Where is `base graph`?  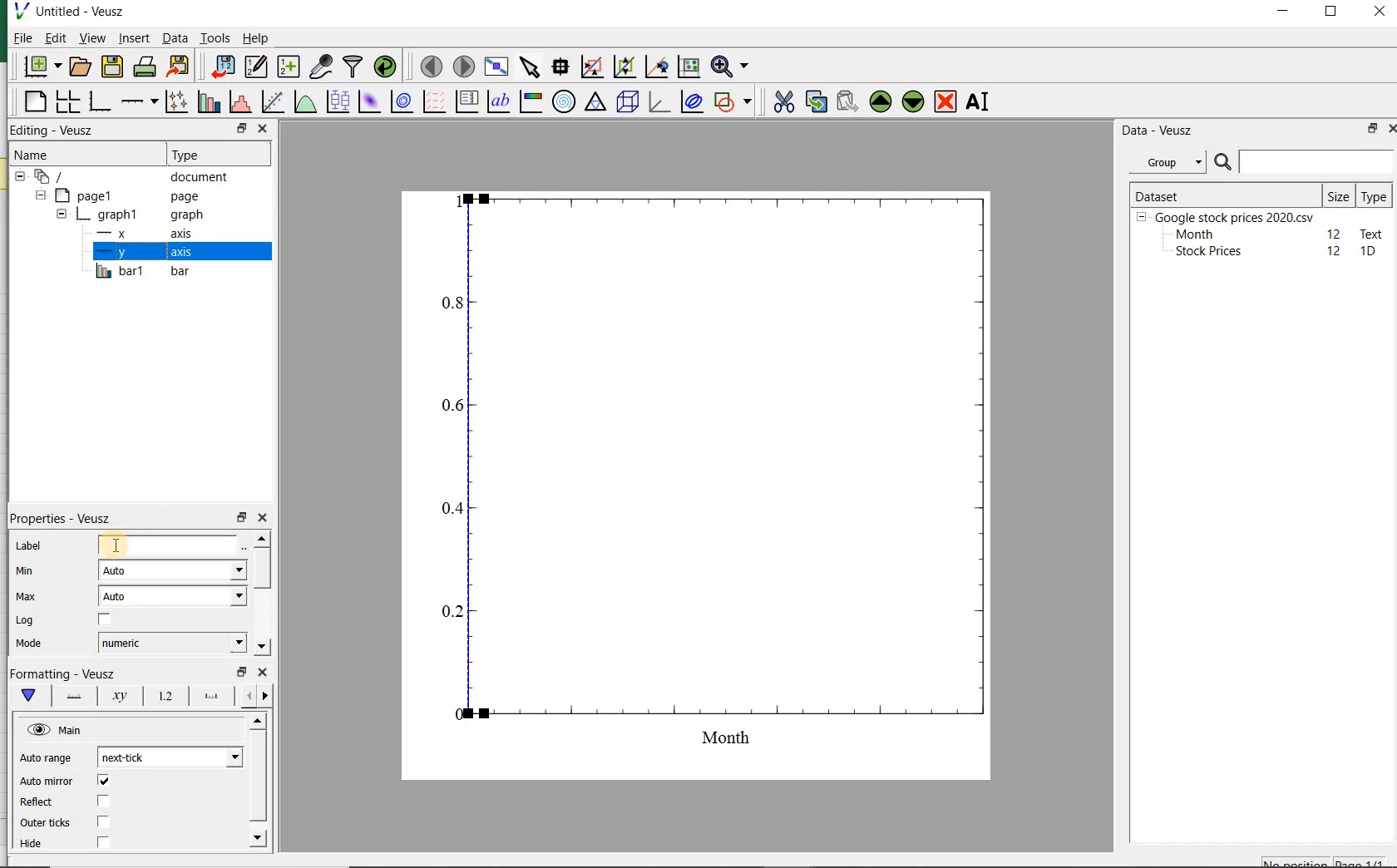
base graph is located at coordinates (99, 102).